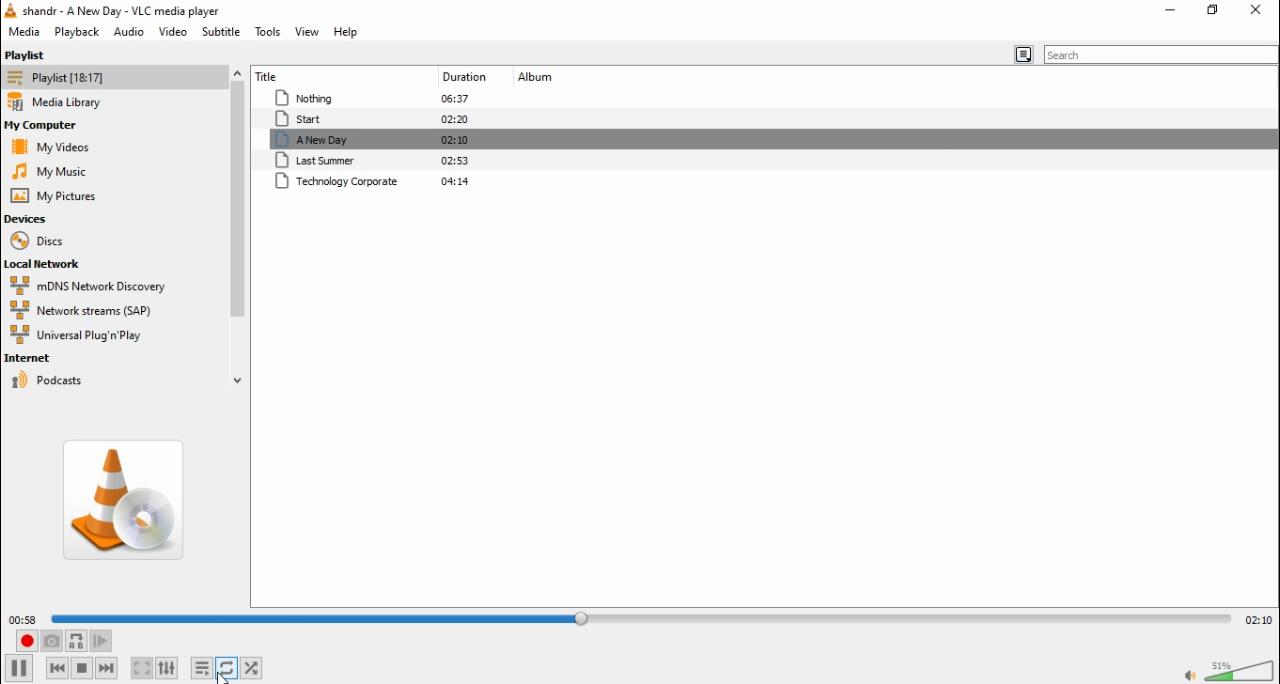 The width and height of the screenshot is (1280, 684). Describe the element at coordinates (110, 669) in the screenshot. I see `next media in playlist, skips forward when held` at that location.